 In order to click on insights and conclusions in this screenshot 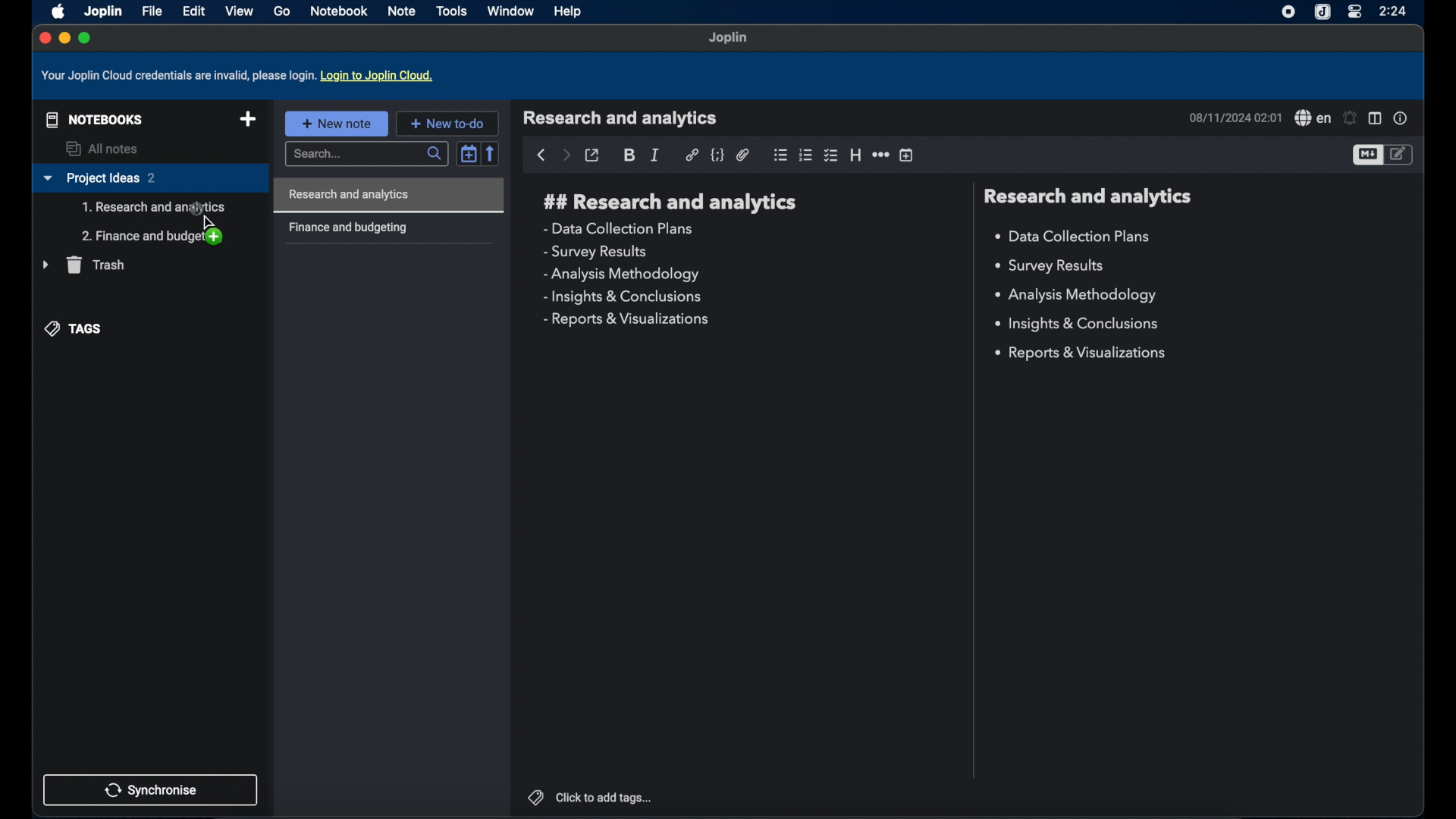, I will do `click(624, 297)`.